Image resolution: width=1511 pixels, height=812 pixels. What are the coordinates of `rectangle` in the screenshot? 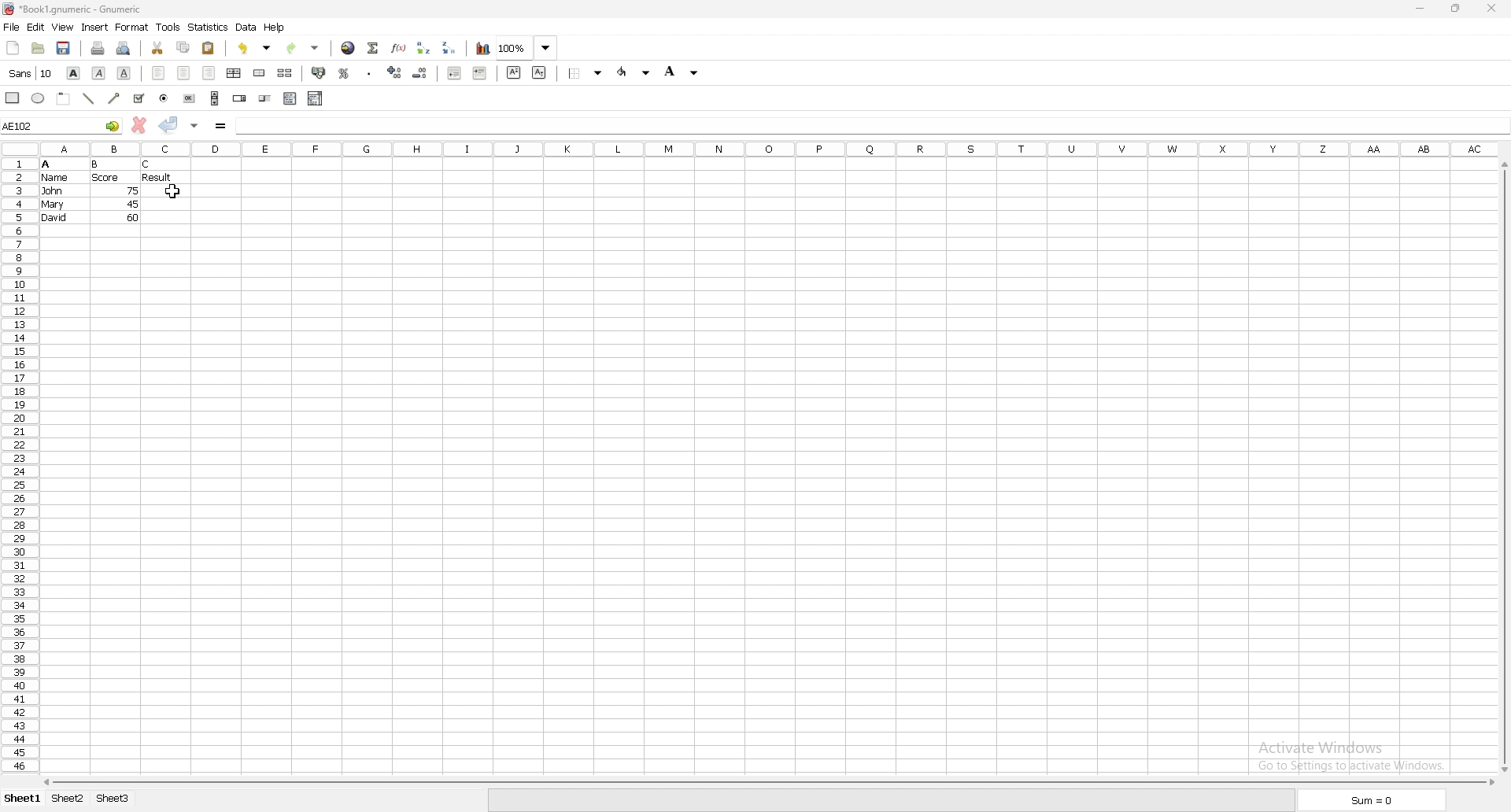 It's located at (13, 98).